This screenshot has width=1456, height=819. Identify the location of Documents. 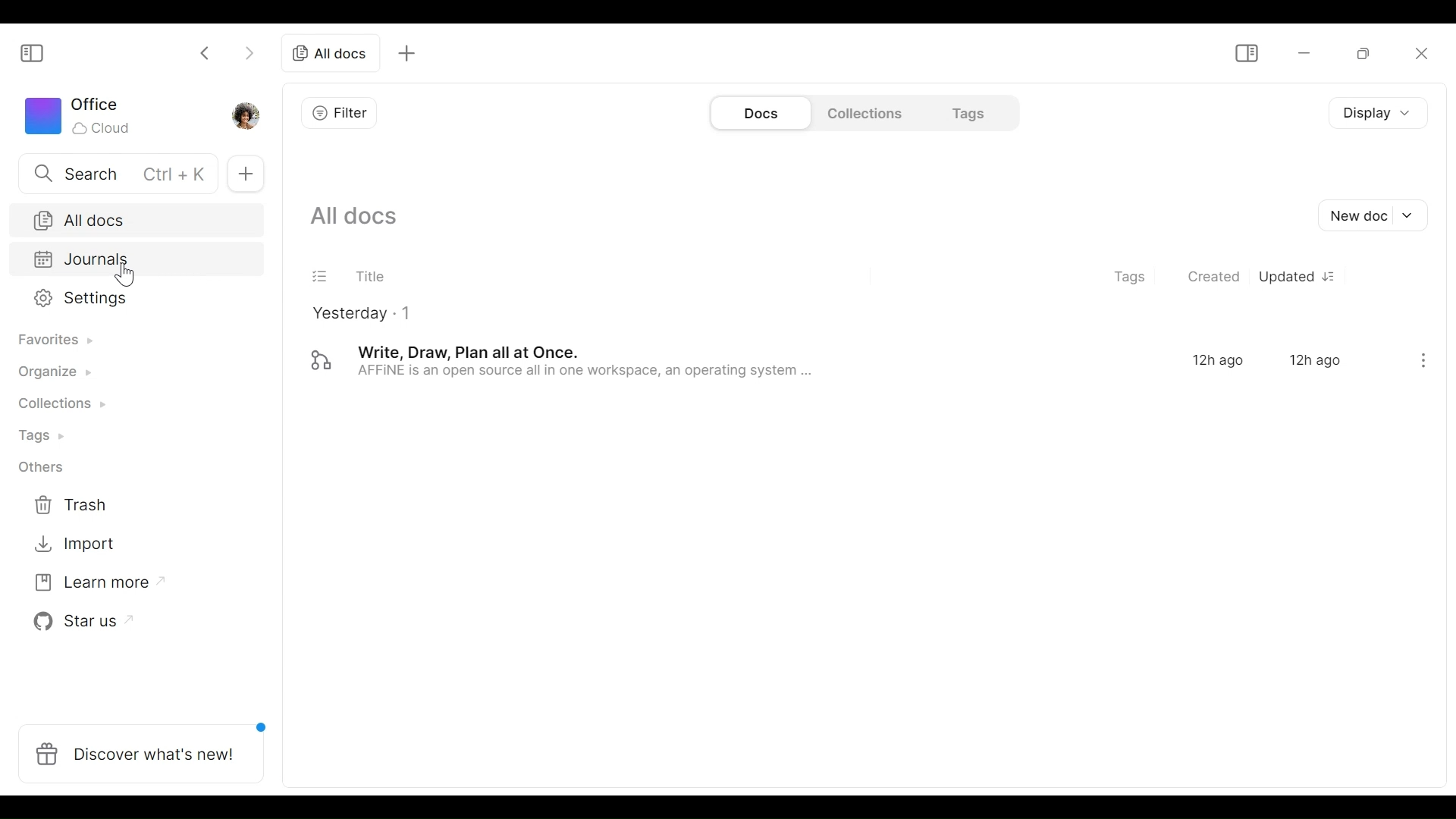
(858, 361).